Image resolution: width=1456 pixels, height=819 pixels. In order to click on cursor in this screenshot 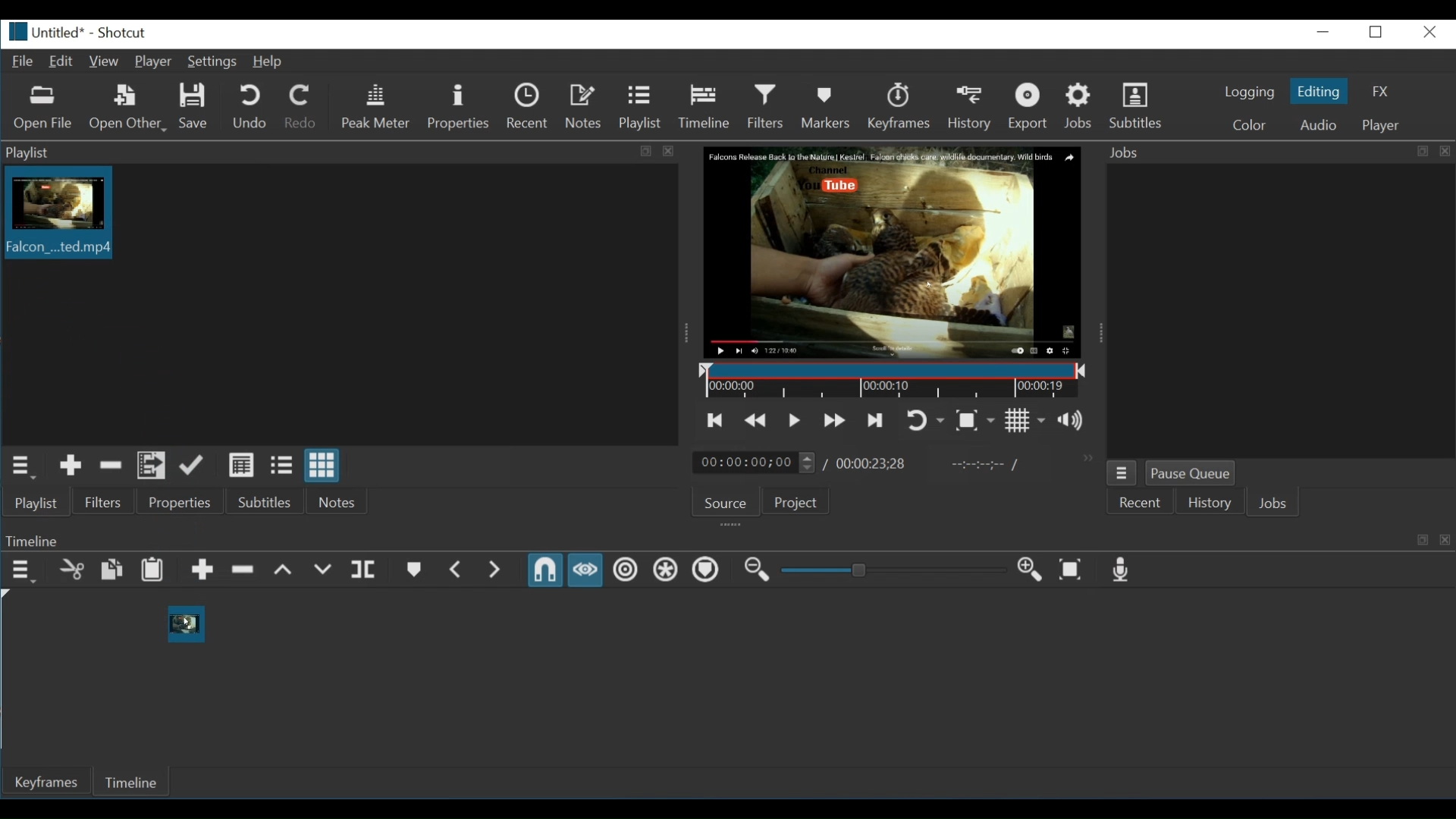, I will do `click(187, 623)`.